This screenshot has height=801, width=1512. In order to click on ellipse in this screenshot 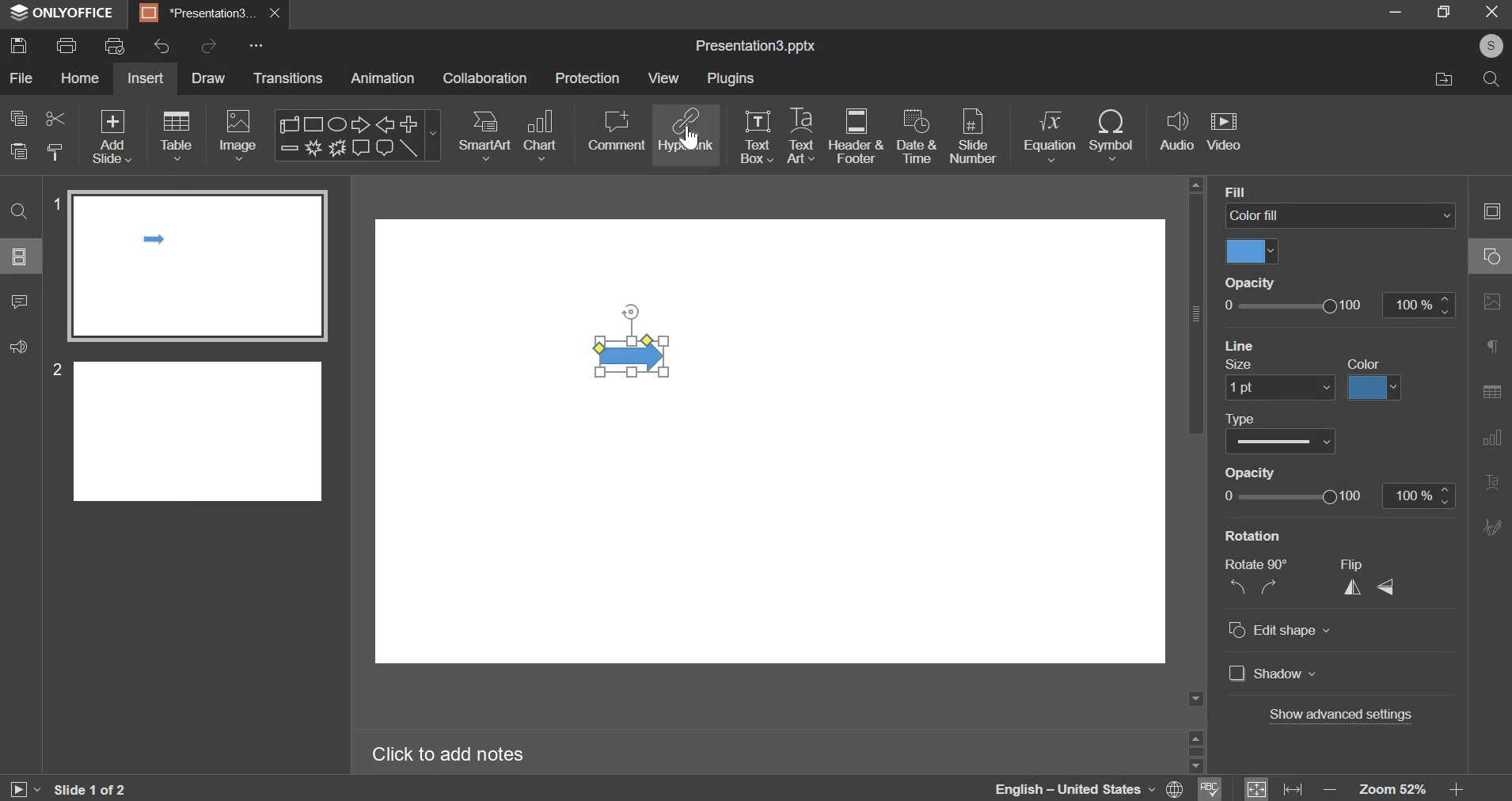, I will do `click(336, 123)`.